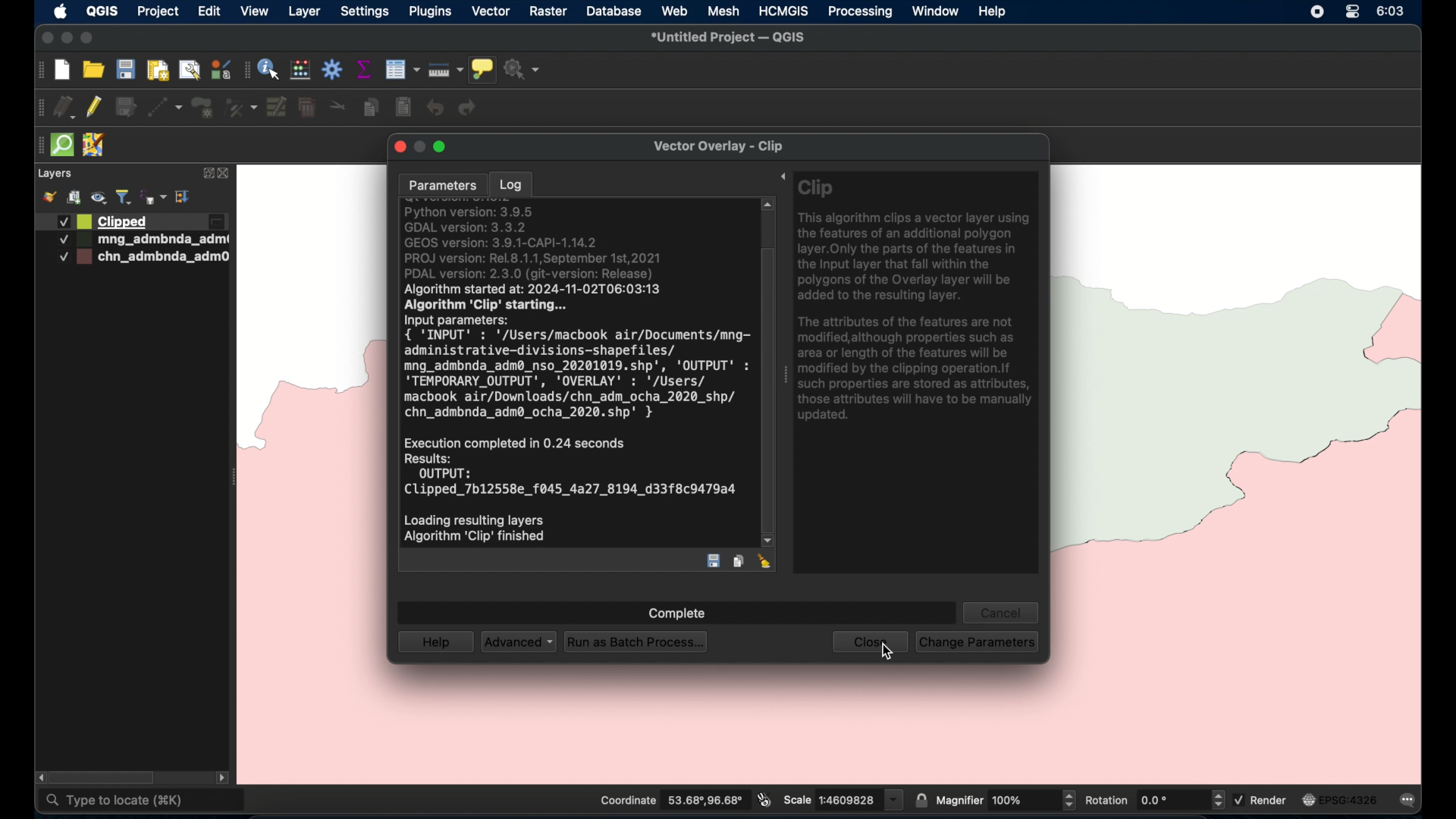 Image resolution: width=1456 pixels, height=819 pixels. I want to click on measure line, so click(446, 70).